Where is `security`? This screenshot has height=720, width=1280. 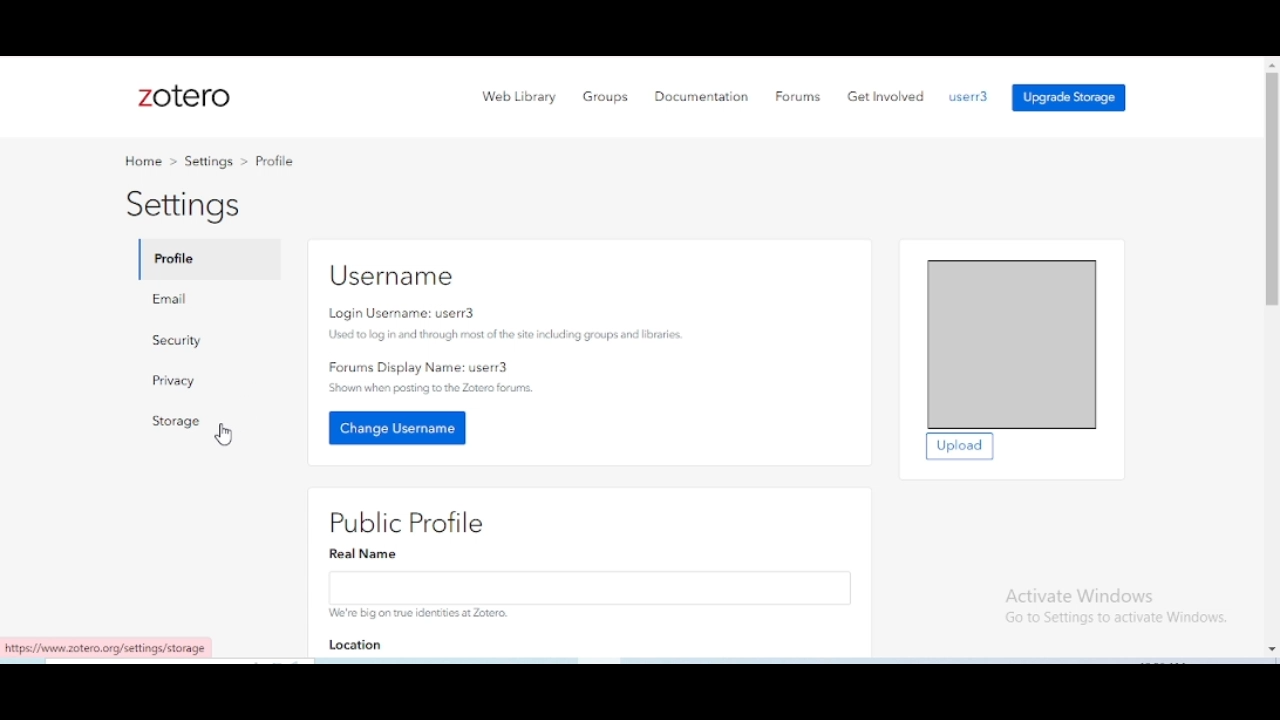
security is located at coordinates (176, 340).